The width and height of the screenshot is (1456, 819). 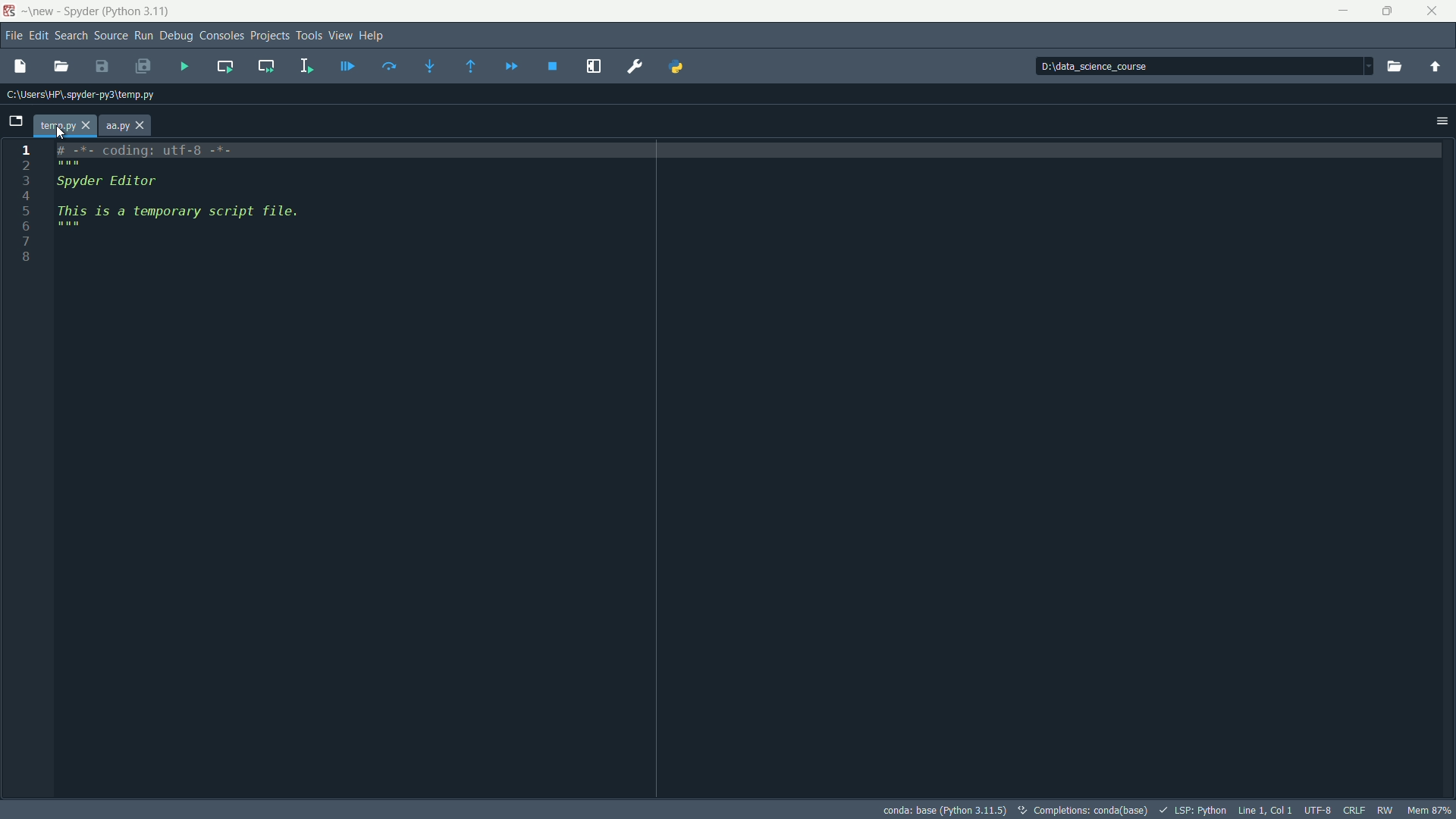 What do you see at coordinates (942, 809) in the screenshot?
I see `python interpretor` at bounding box center [942, 809].